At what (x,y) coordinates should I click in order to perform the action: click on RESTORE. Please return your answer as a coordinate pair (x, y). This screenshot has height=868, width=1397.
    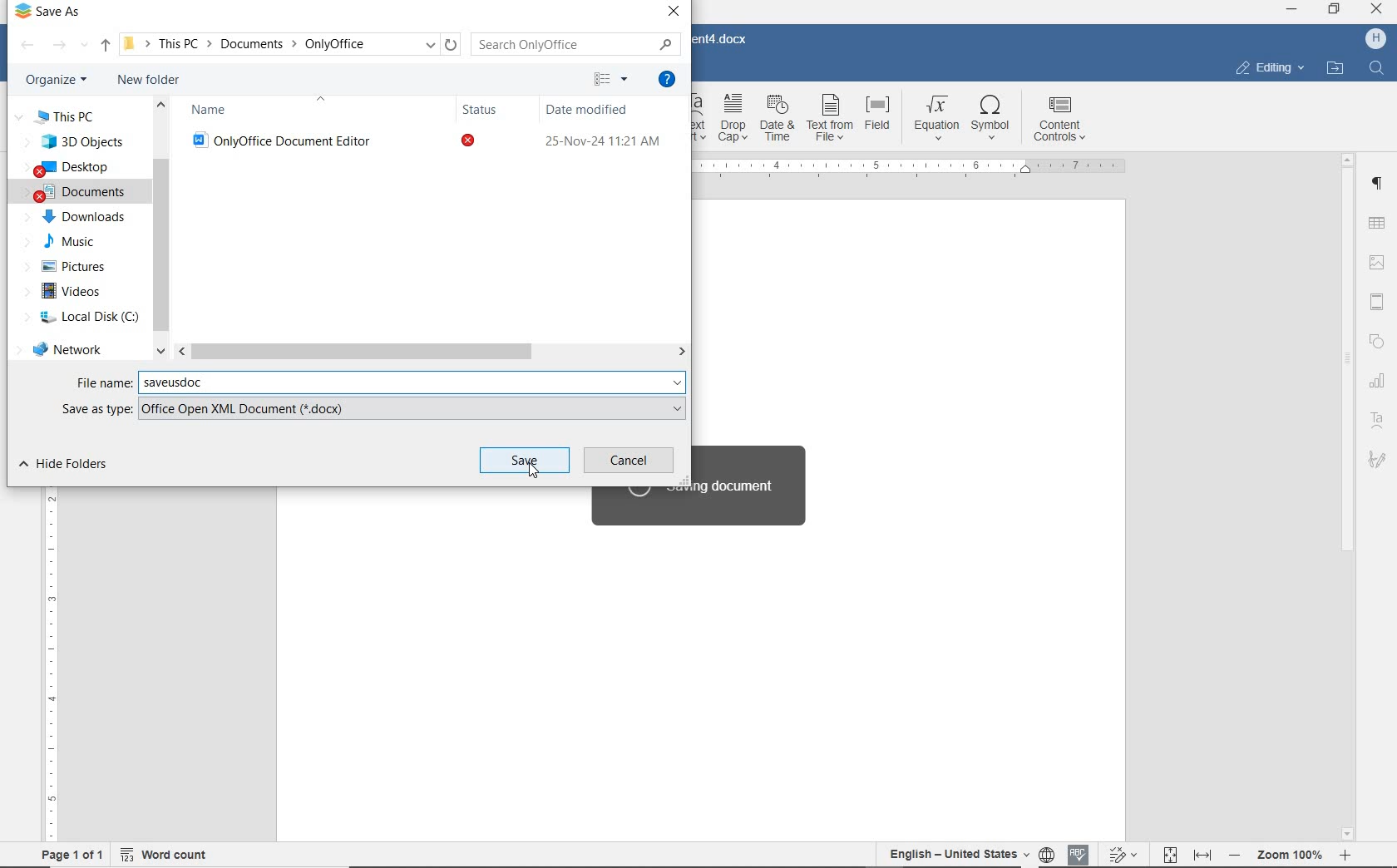
    Looking at the image, I should click on (1335, 9).